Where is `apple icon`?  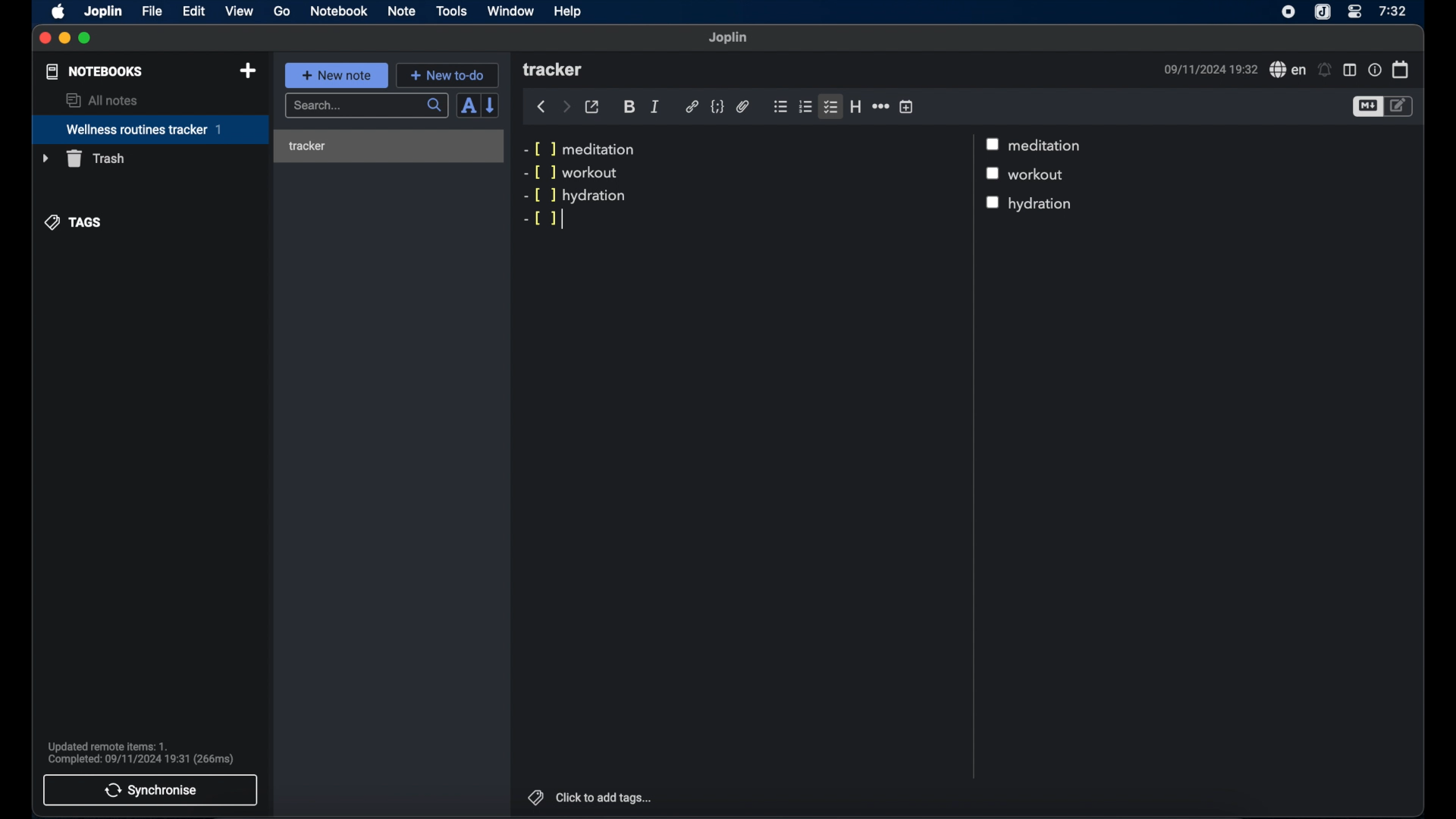
apple icon is located at coordinates (59, 12).